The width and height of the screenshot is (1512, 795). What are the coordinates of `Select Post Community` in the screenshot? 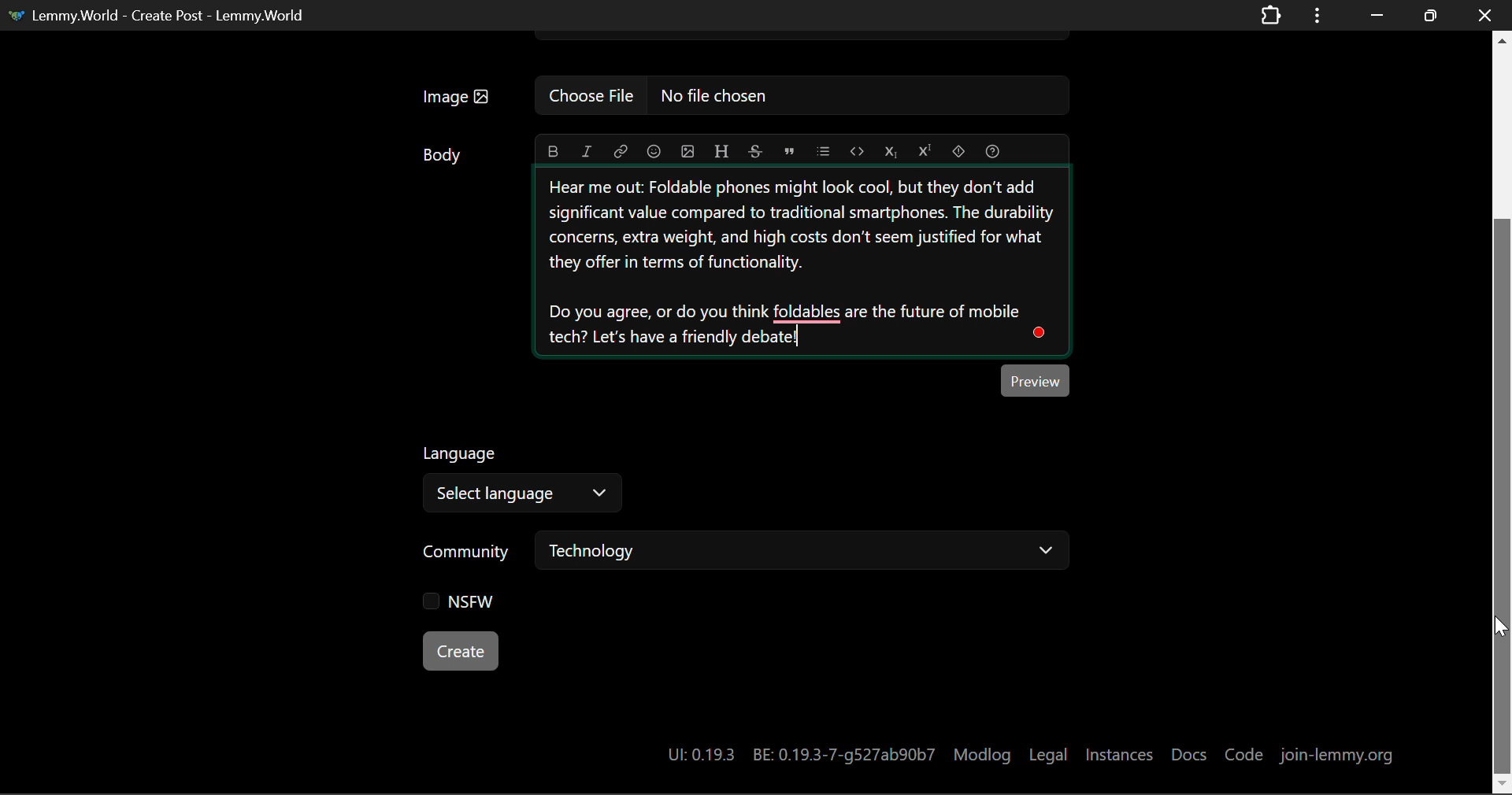 It's located at (754, 553).